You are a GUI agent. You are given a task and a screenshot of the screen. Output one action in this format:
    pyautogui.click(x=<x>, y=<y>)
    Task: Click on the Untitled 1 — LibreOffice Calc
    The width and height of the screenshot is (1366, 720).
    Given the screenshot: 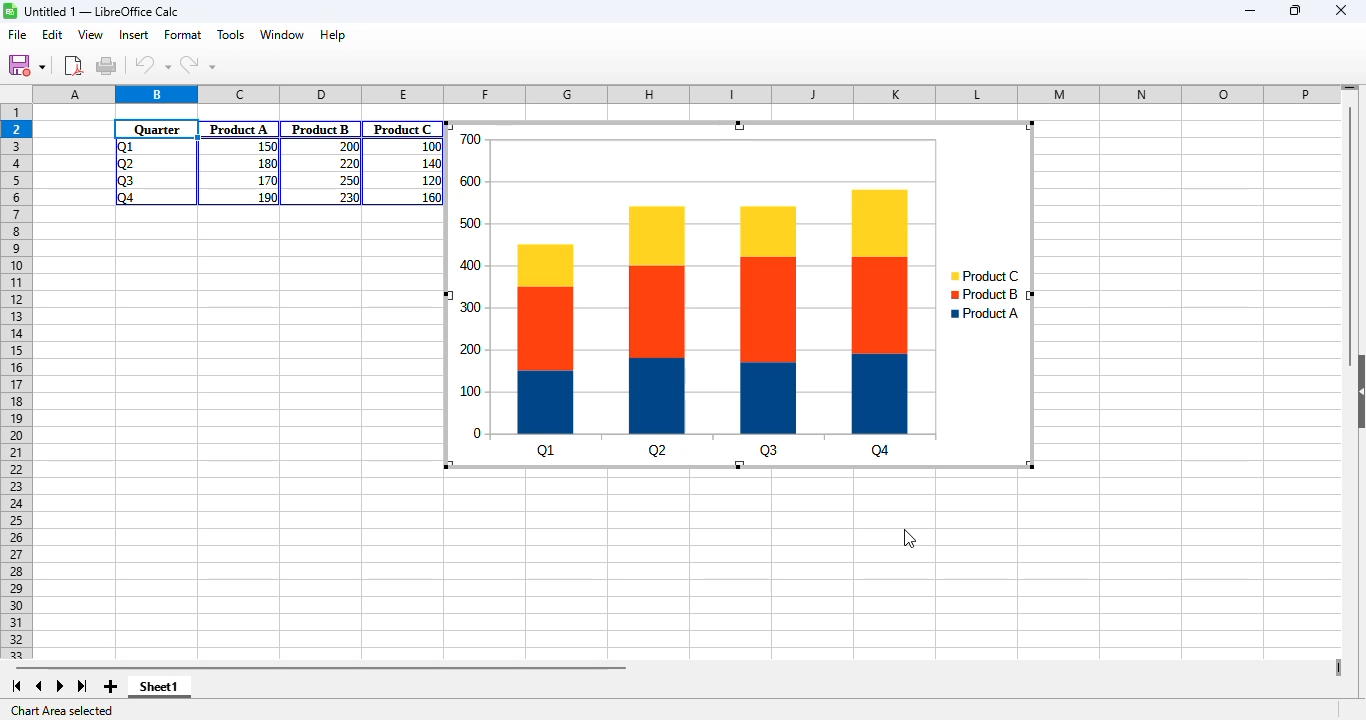 What is the action you would take?
    pyautogui.click(x=102, y=11)
    